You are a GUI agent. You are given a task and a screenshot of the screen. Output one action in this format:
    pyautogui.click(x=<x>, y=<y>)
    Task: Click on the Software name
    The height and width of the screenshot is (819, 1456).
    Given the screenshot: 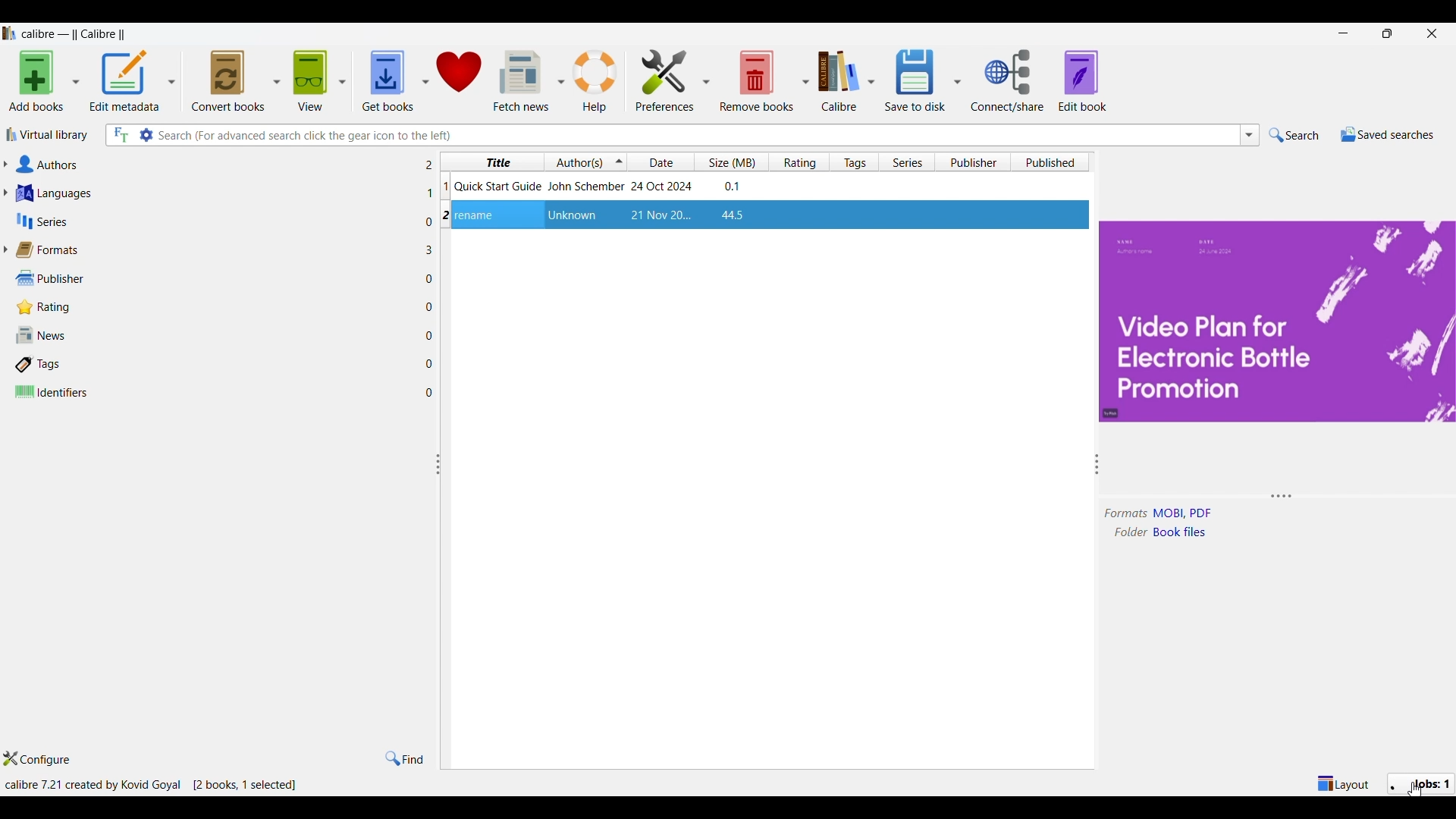 What is the action you would take?
    pyautogui.click(x=77, y=36)
    